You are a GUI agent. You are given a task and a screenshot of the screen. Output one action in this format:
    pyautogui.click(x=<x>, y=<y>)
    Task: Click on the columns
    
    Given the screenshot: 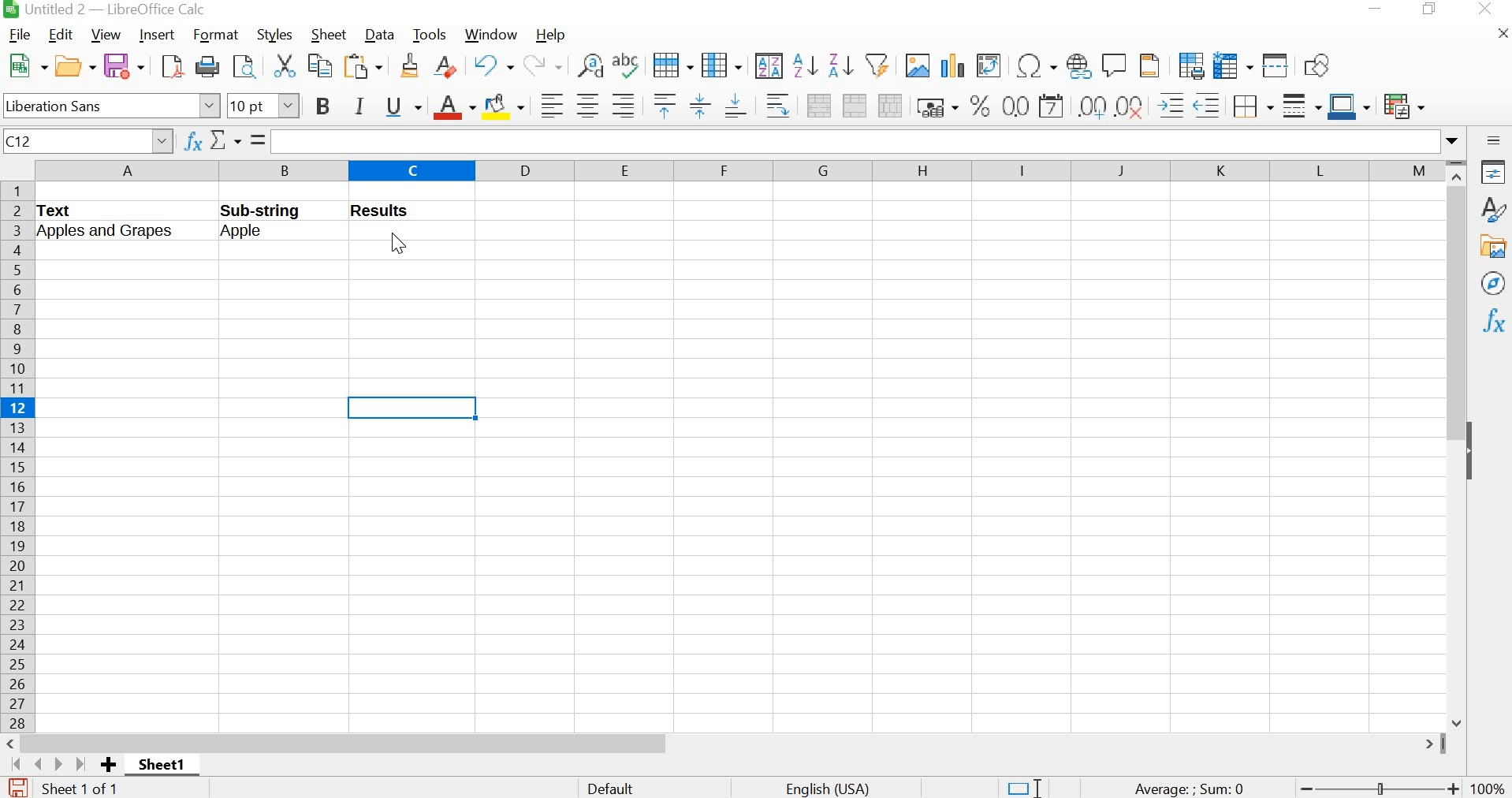 What is the action you would take?
    pyautogui.click(x=736, y=170)
    